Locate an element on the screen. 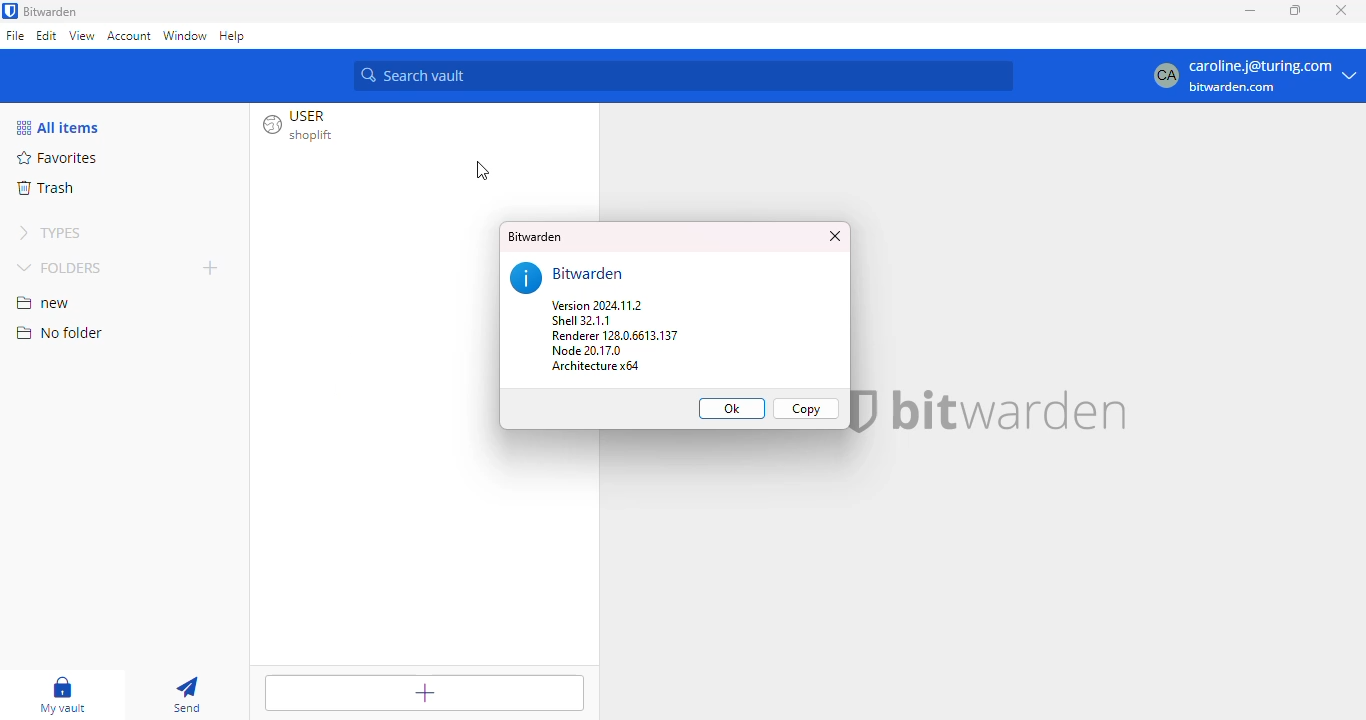 The width and height of the screenshot is (1366, 720). favorites is located at coordinates (55, 157).